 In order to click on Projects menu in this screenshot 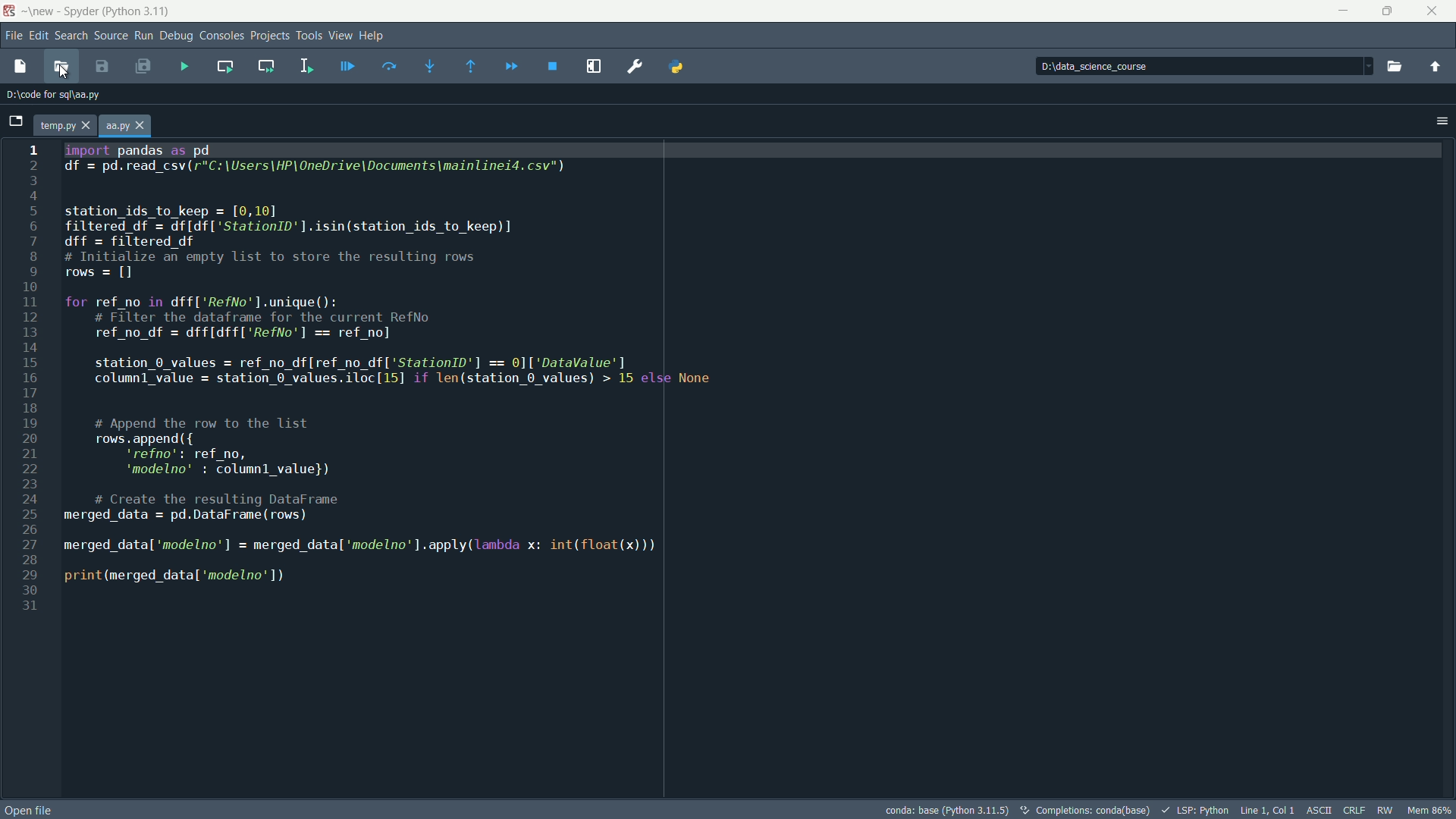, I will do `click(273, 35)`.